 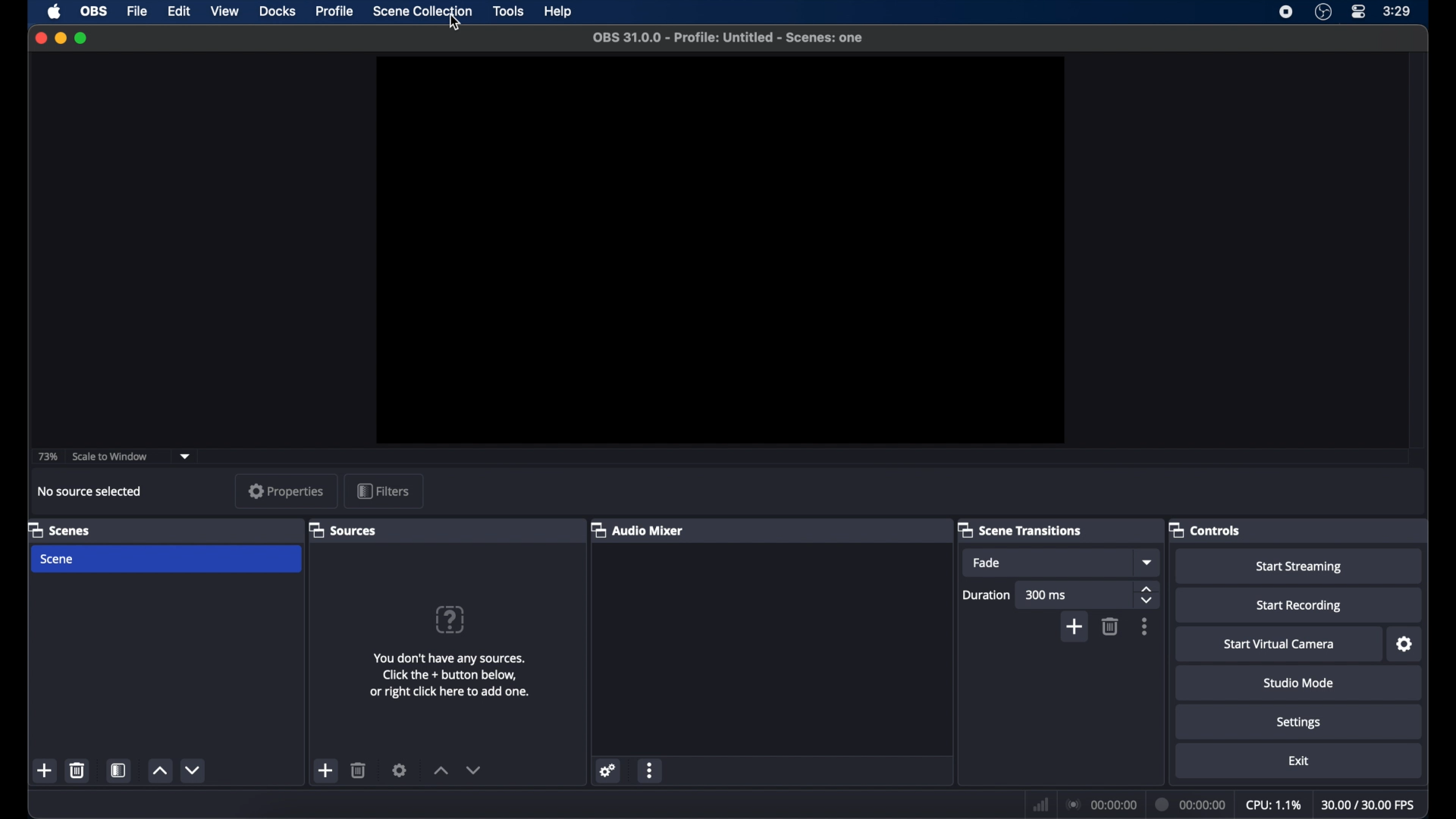 What do you see at coordinates (651, 770) in the screenshot?
I see `more options` at bounding box center [651, 770].